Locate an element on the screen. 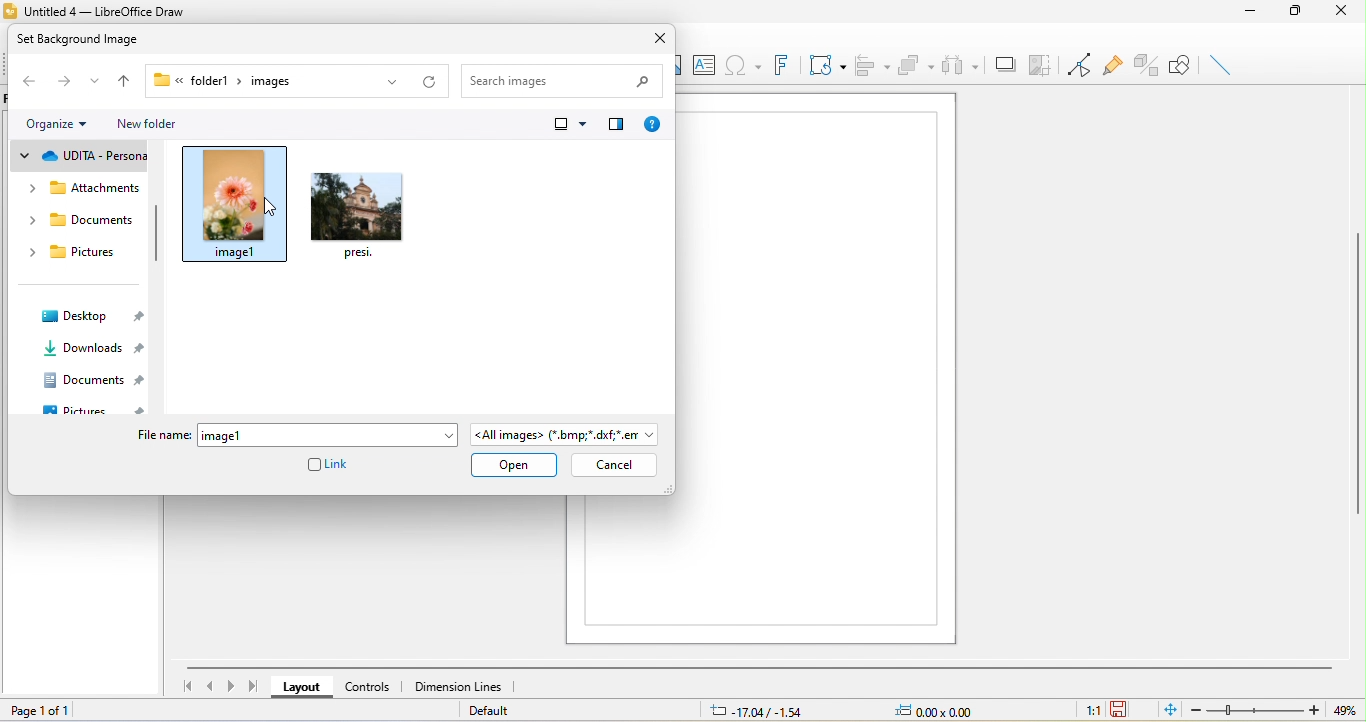  copy image is located at coordinates (1040, 62).